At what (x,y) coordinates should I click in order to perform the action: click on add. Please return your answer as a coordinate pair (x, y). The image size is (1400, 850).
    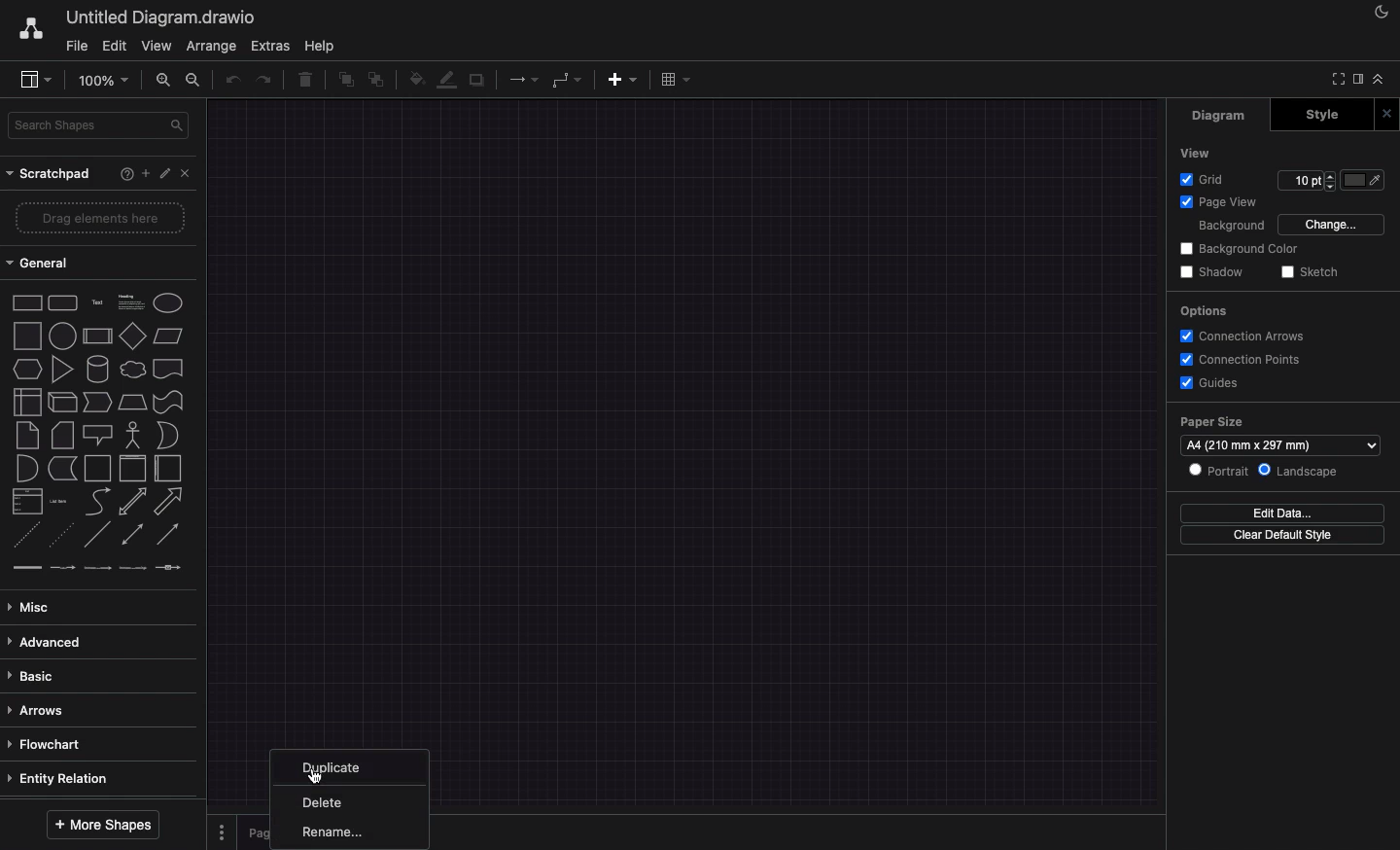
    Looking at the image, I should click on (622, 81).